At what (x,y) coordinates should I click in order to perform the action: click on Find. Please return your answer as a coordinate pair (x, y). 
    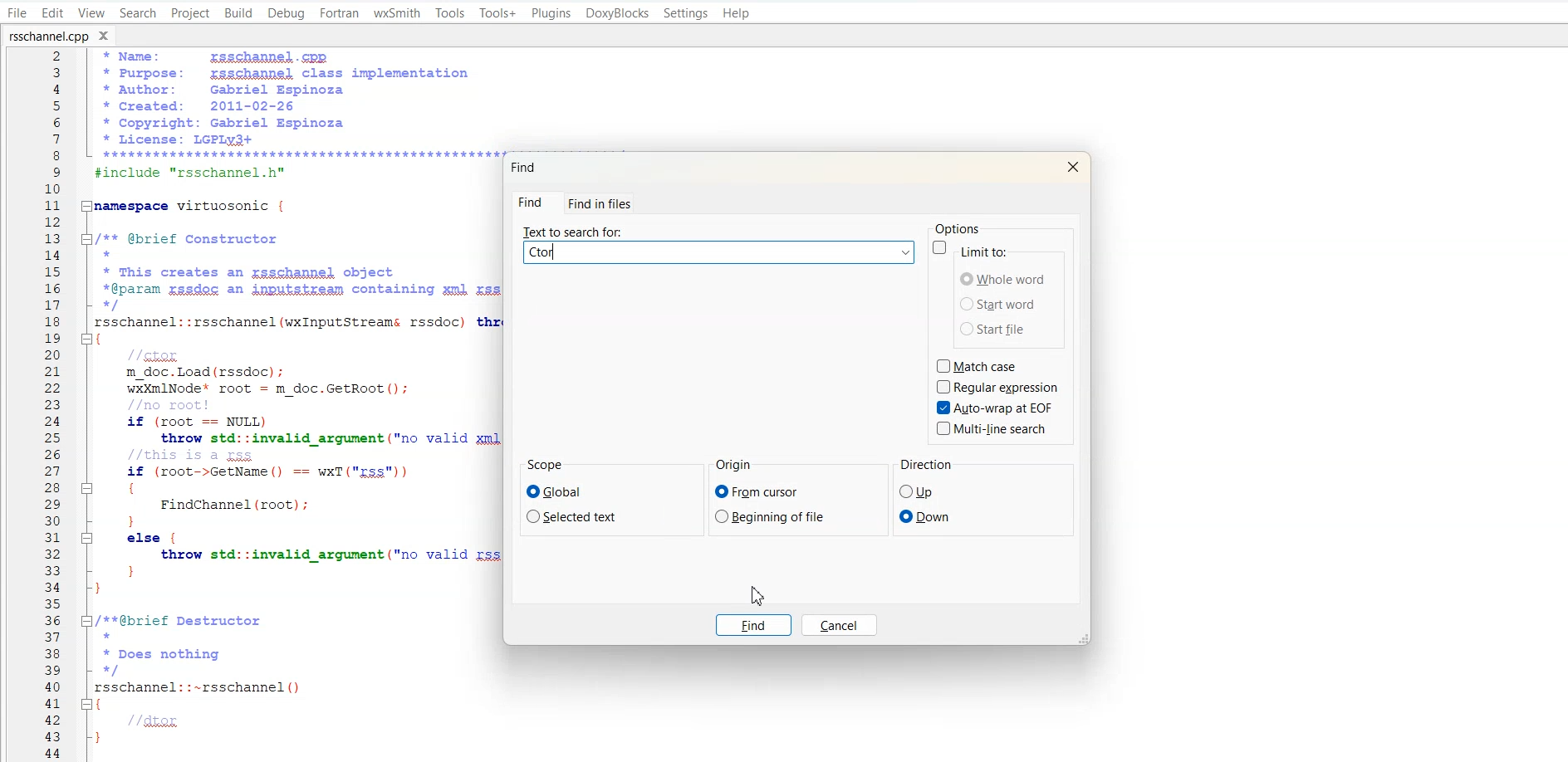
    Looking at the image, I should click on (755, 626).